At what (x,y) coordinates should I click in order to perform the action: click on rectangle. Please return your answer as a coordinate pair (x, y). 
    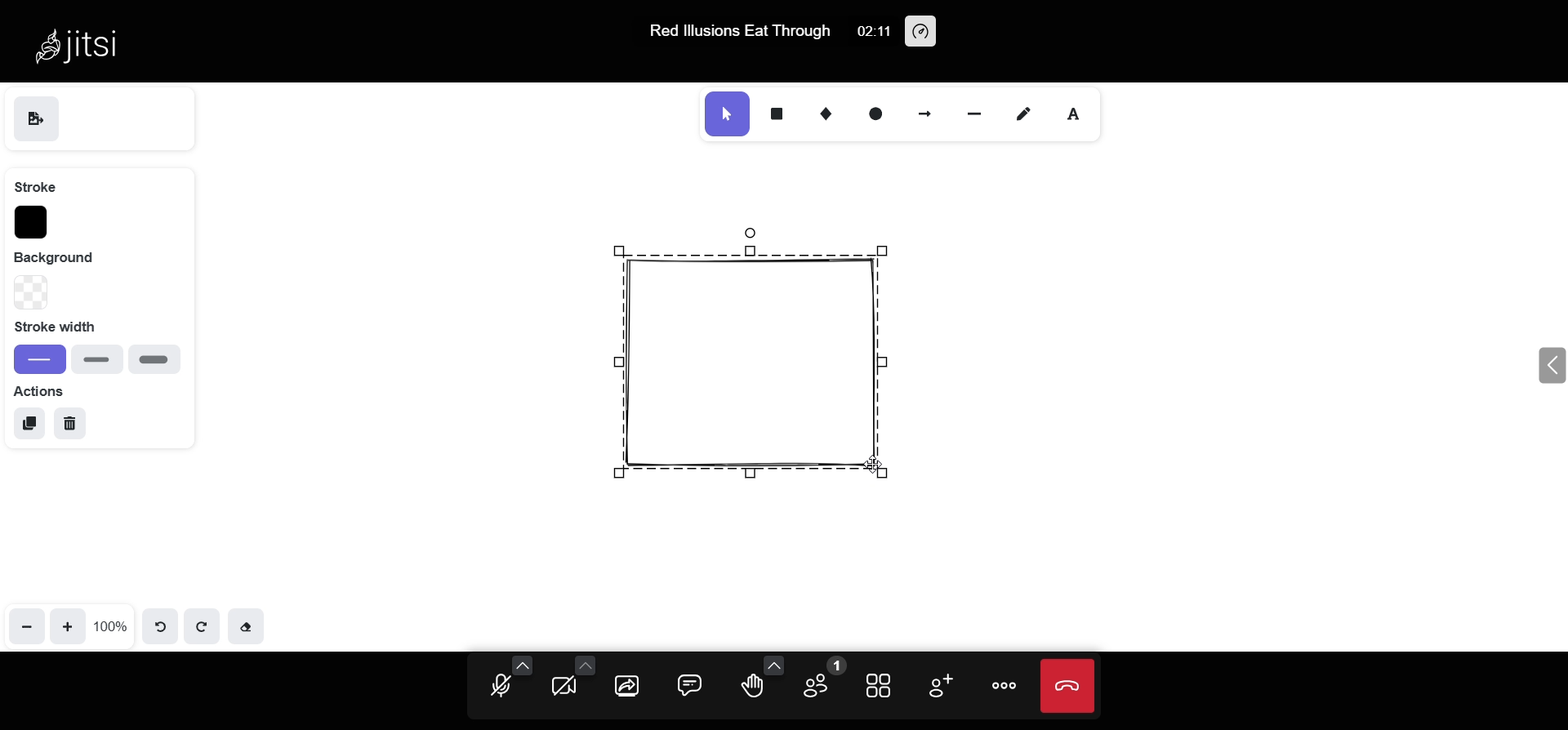
    Looking at the image, I should click on (775, 114).